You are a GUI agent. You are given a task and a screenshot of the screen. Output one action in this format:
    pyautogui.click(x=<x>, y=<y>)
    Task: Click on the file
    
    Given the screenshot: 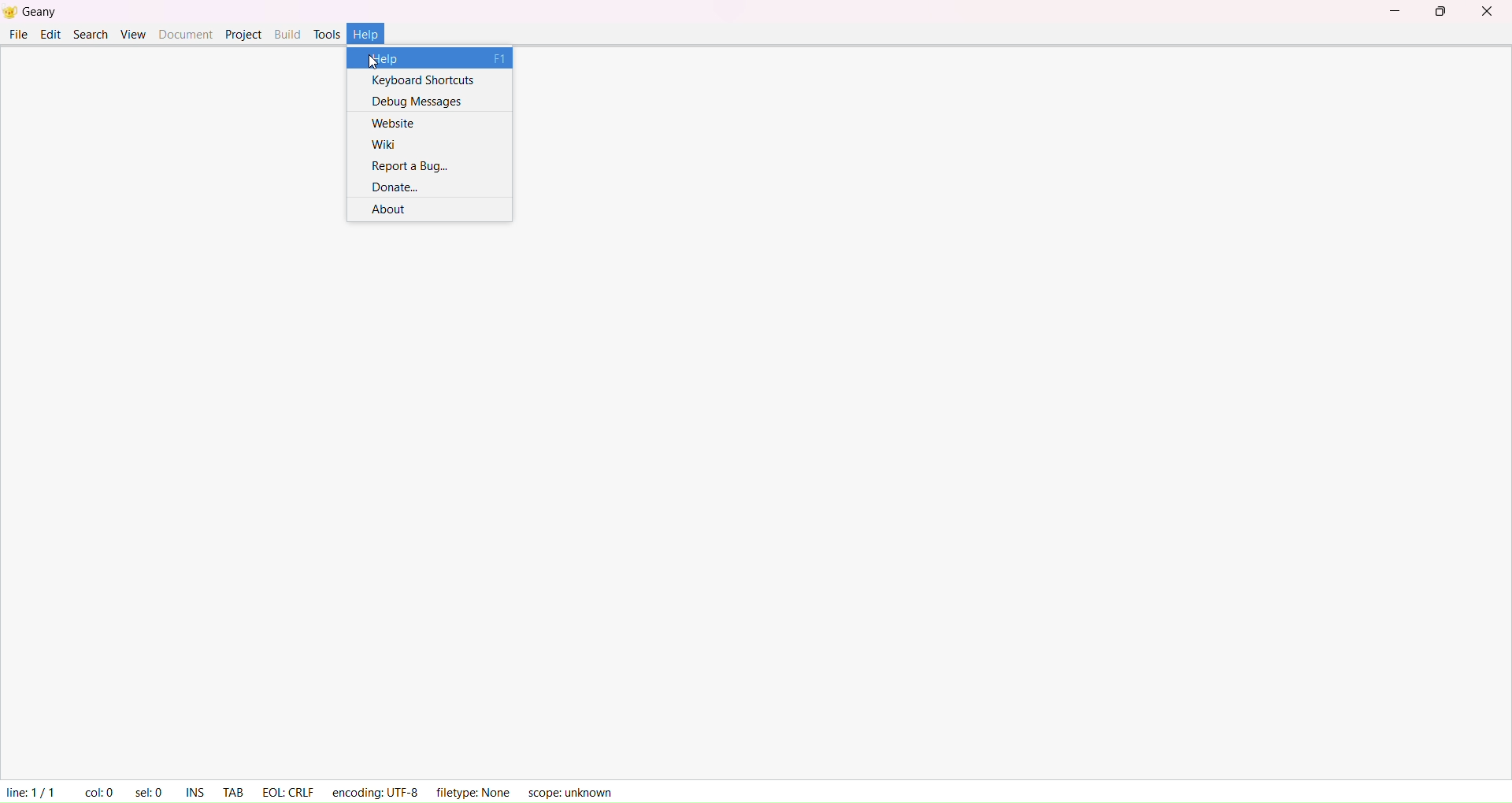 What is the action you would take?
    pyautogui.click(x=17, y=34)
    